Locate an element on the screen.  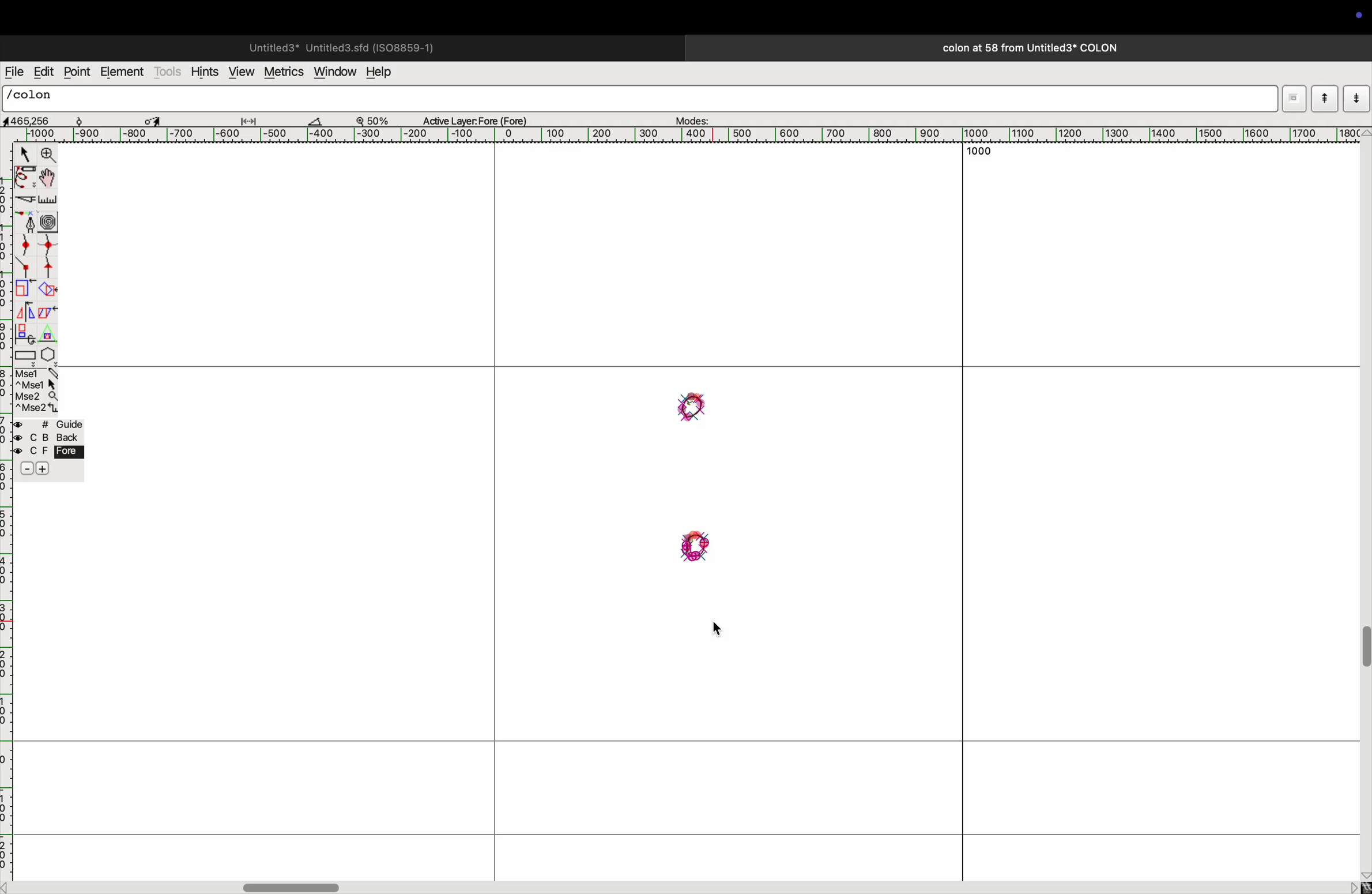
Mode is located at coordinates (1292, 96).